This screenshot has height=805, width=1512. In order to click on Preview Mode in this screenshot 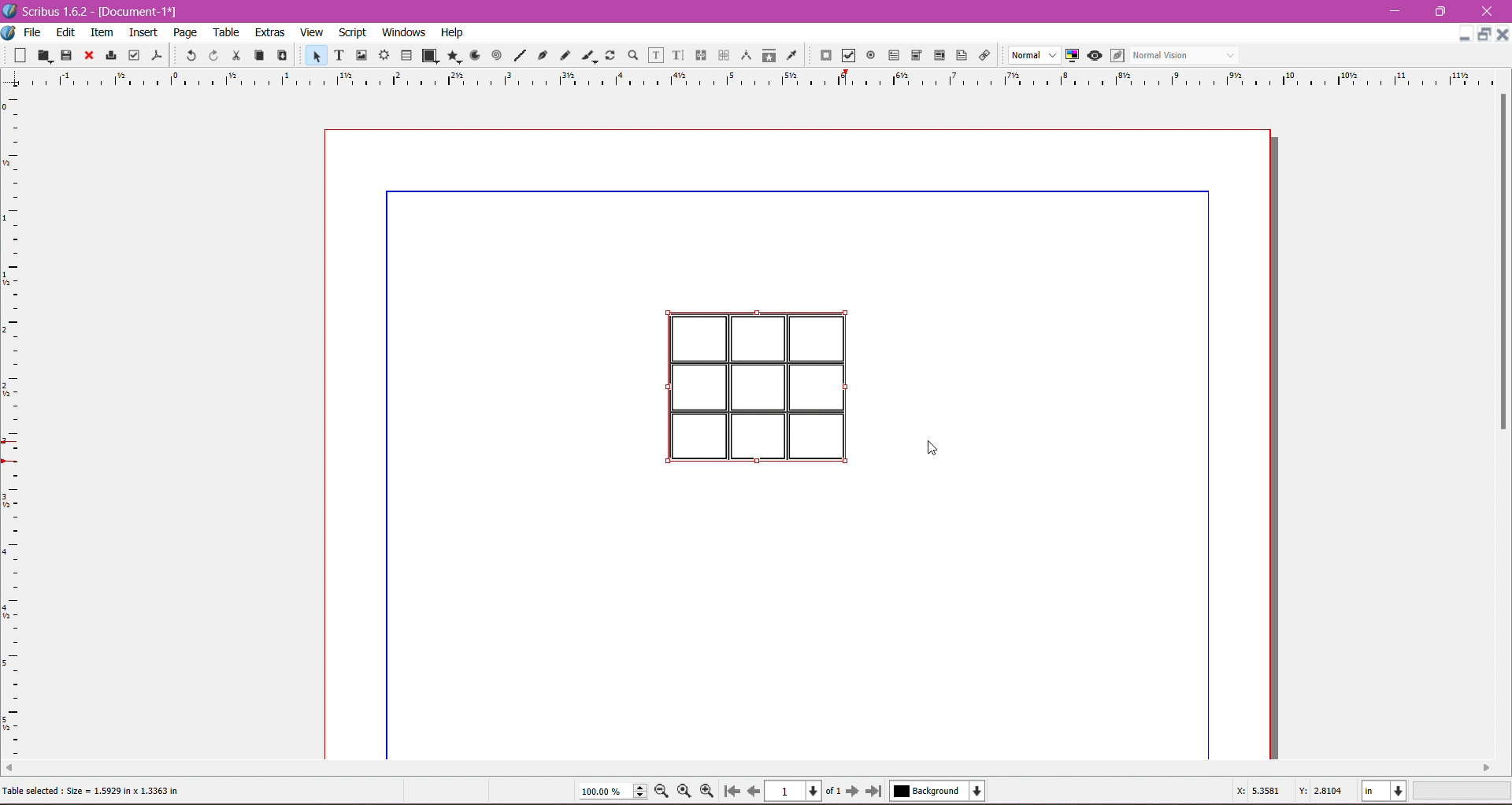, I will do `click(1094, 55)`.